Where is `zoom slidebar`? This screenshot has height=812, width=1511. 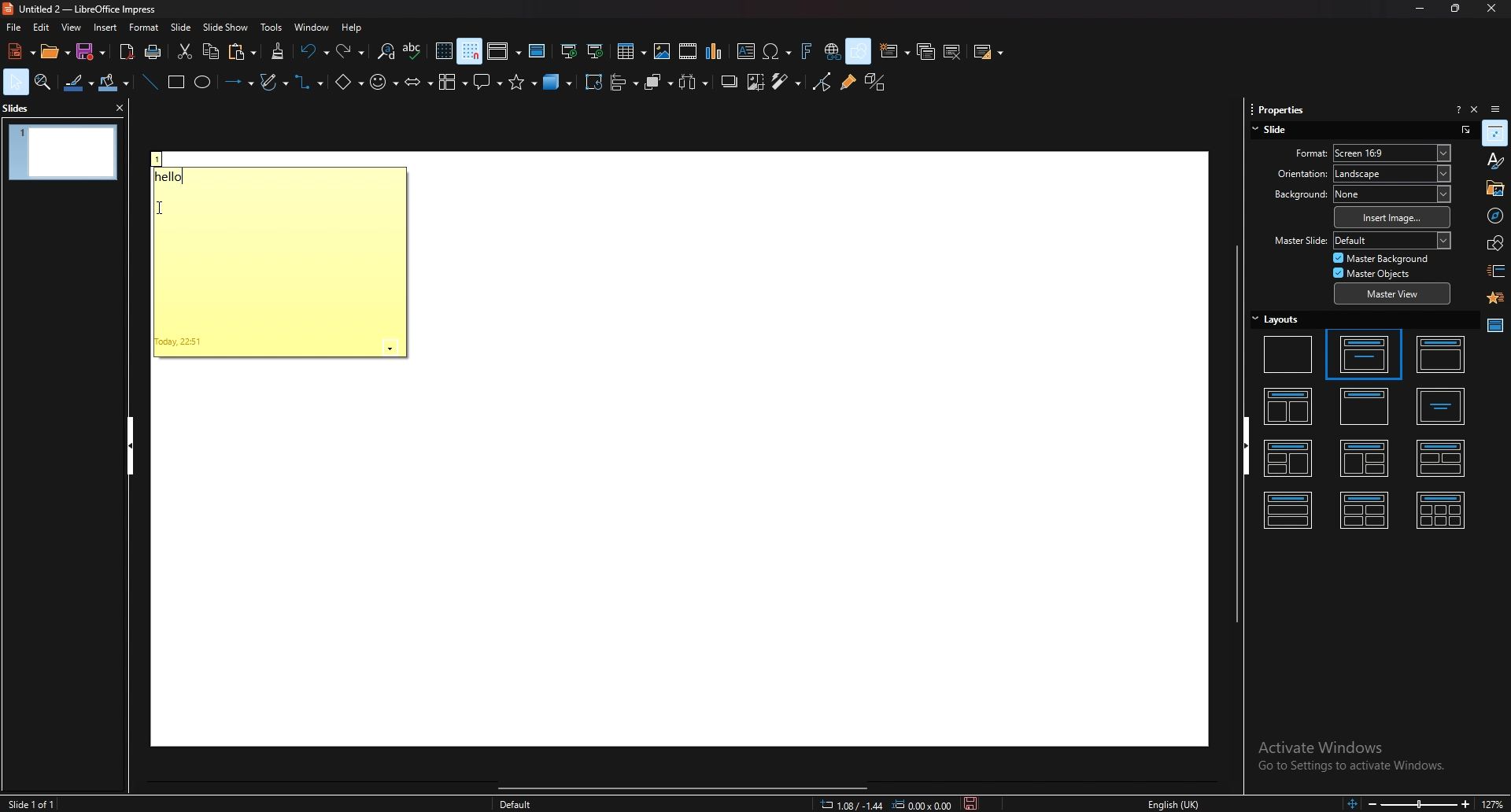
zoom slidebar is located at coordinates (1417, 804).